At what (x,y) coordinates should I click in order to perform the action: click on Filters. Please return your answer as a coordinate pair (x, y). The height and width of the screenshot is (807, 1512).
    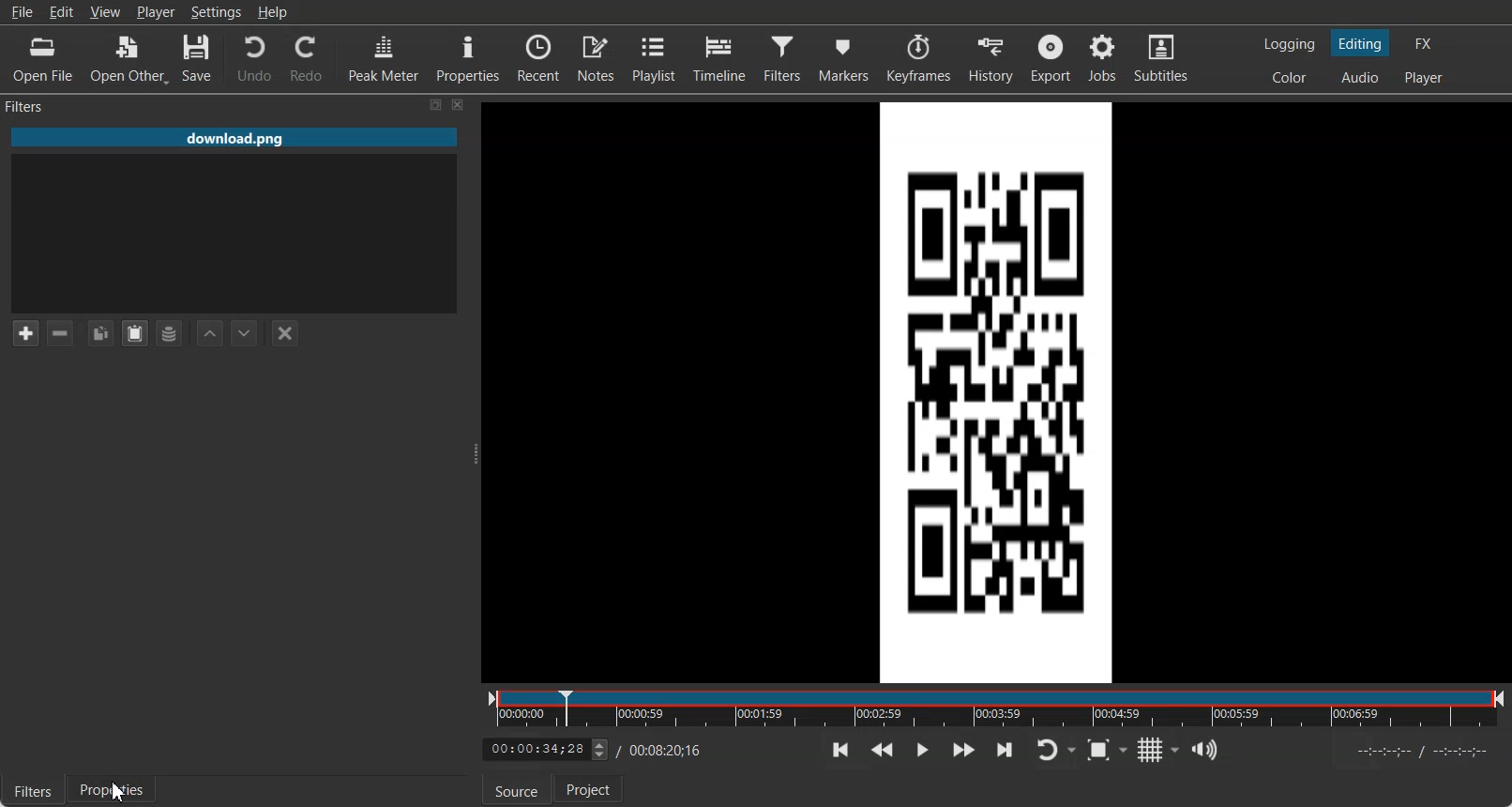
    Looking at the image, I should click on (32, 789).